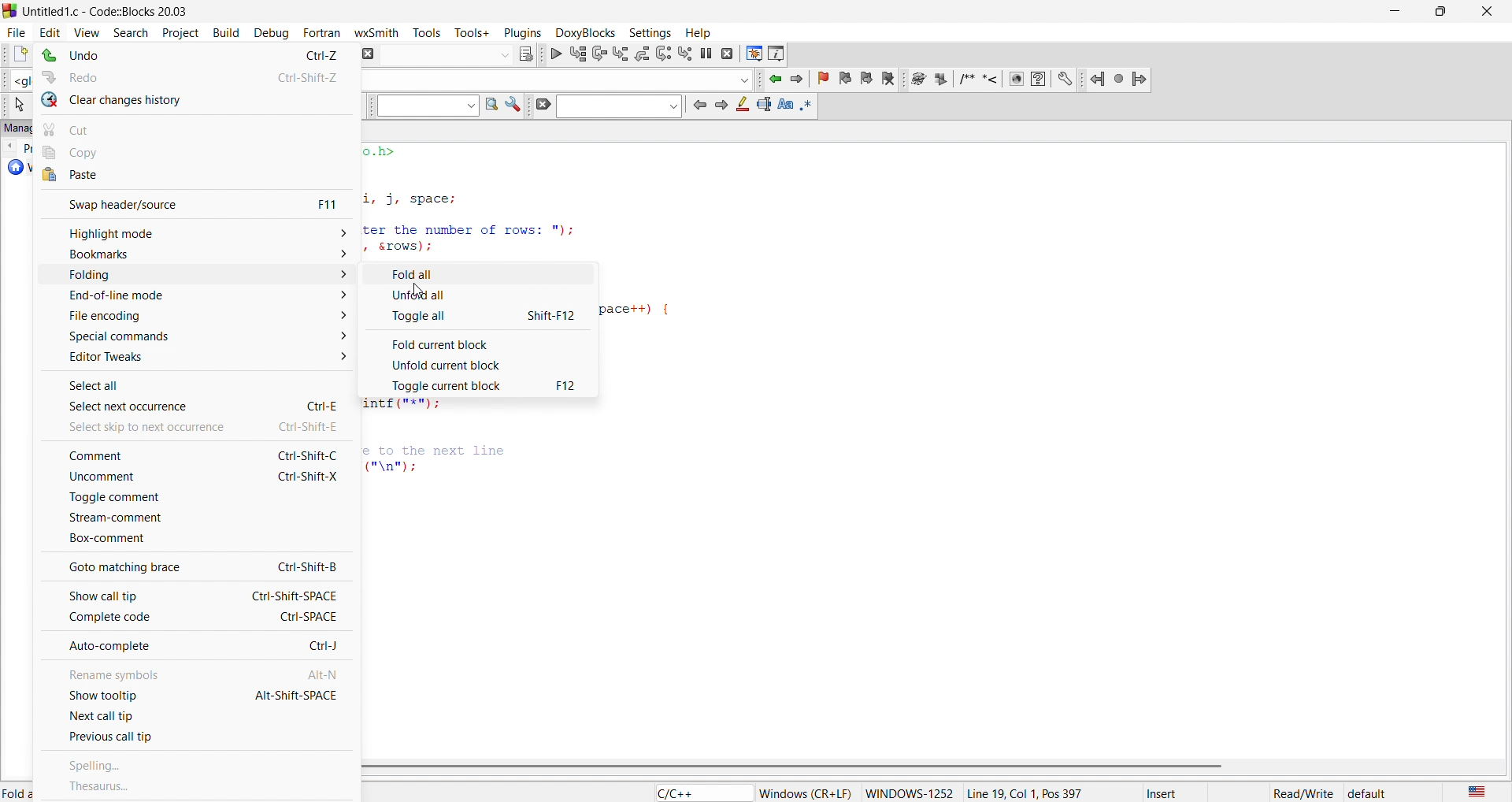 This screenshot has width=1512, height=802. I want to click on show tooltip, so click(192, 695).